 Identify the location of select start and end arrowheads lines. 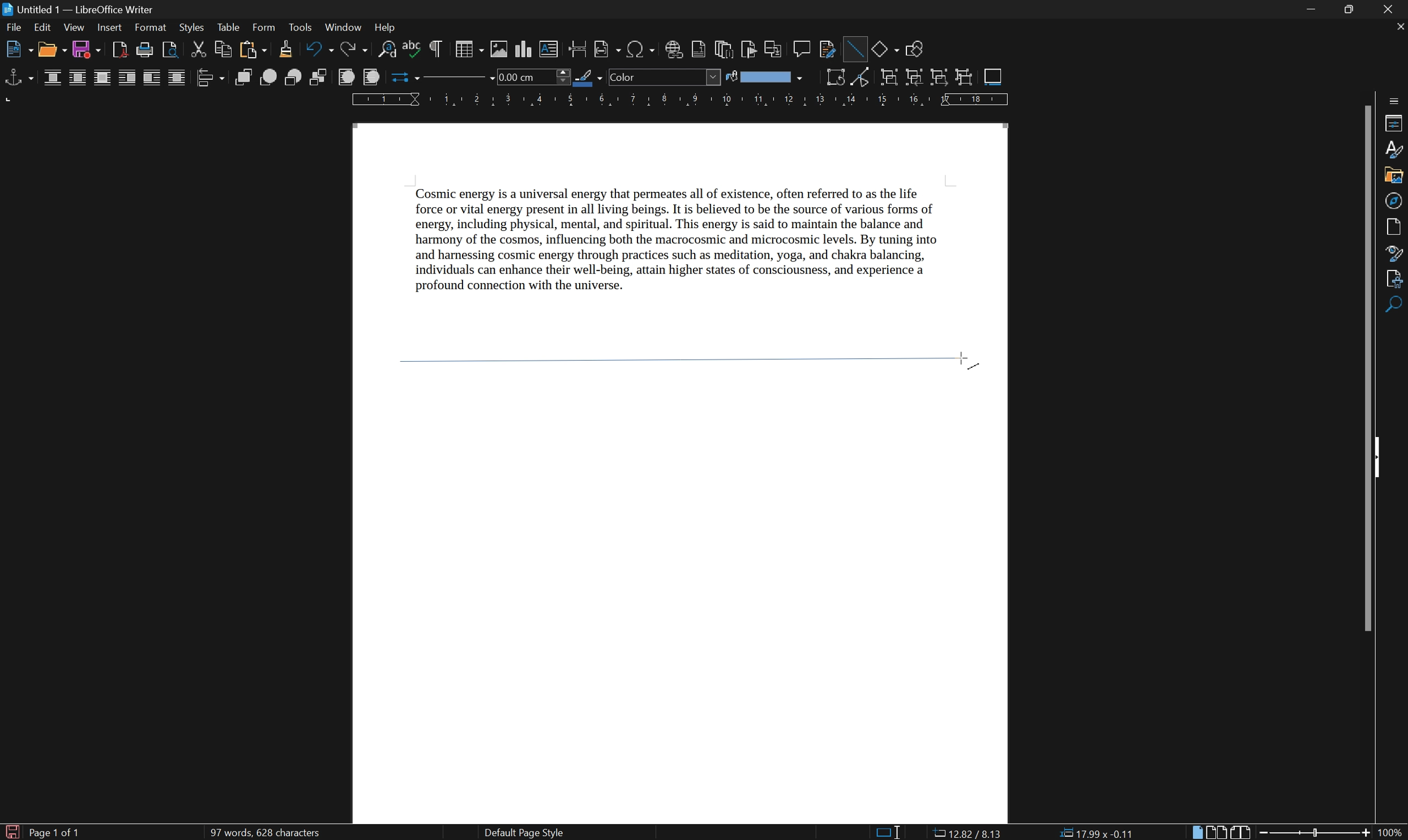
(401, 78).